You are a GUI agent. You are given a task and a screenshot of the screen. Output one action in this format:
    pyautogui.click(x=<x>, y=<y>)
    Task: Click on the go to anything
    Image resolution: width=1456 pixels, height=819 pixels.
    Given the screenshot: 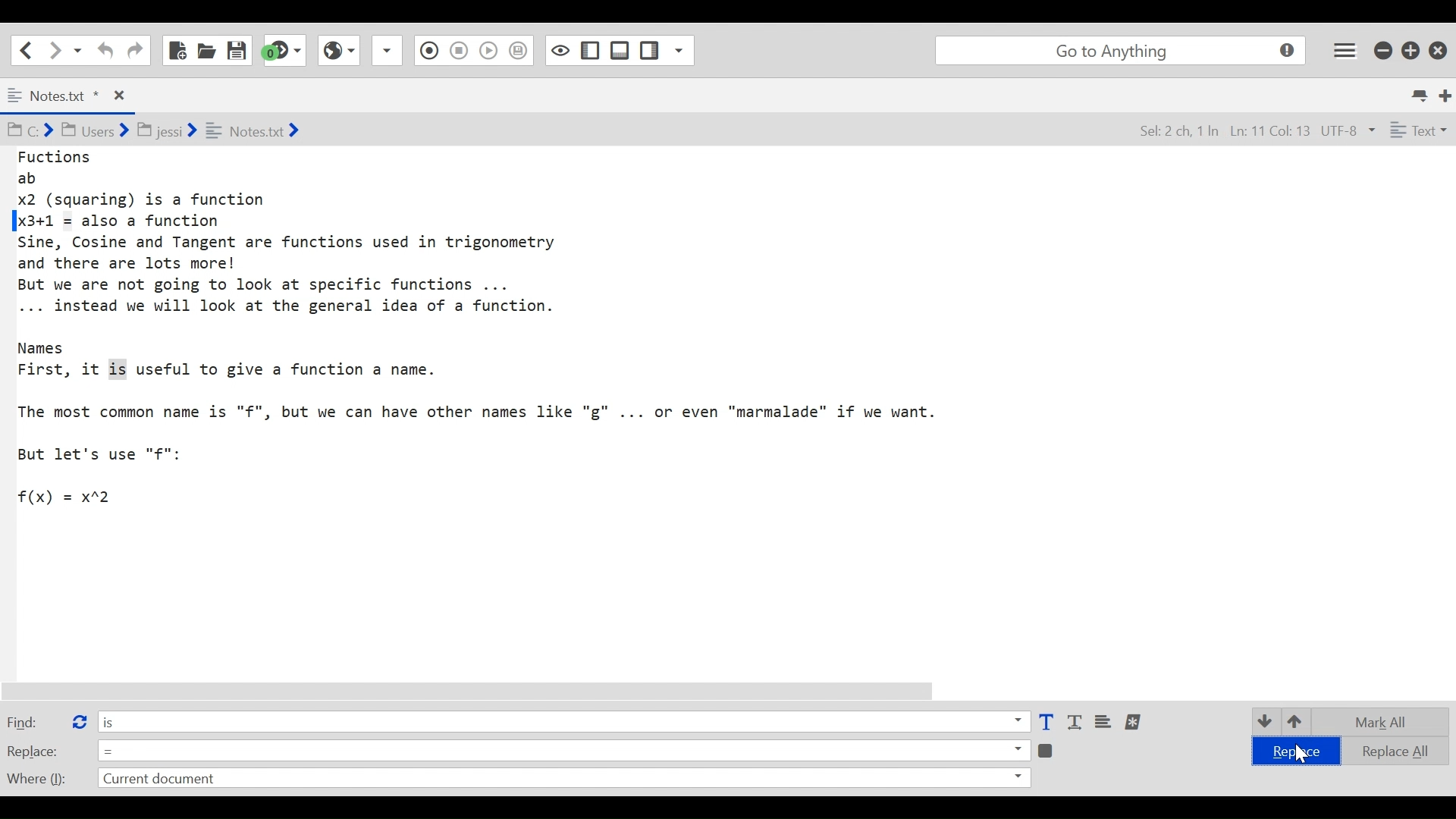 What is the action you would take?
    pyautogui.click(x=1124, y=51)
    